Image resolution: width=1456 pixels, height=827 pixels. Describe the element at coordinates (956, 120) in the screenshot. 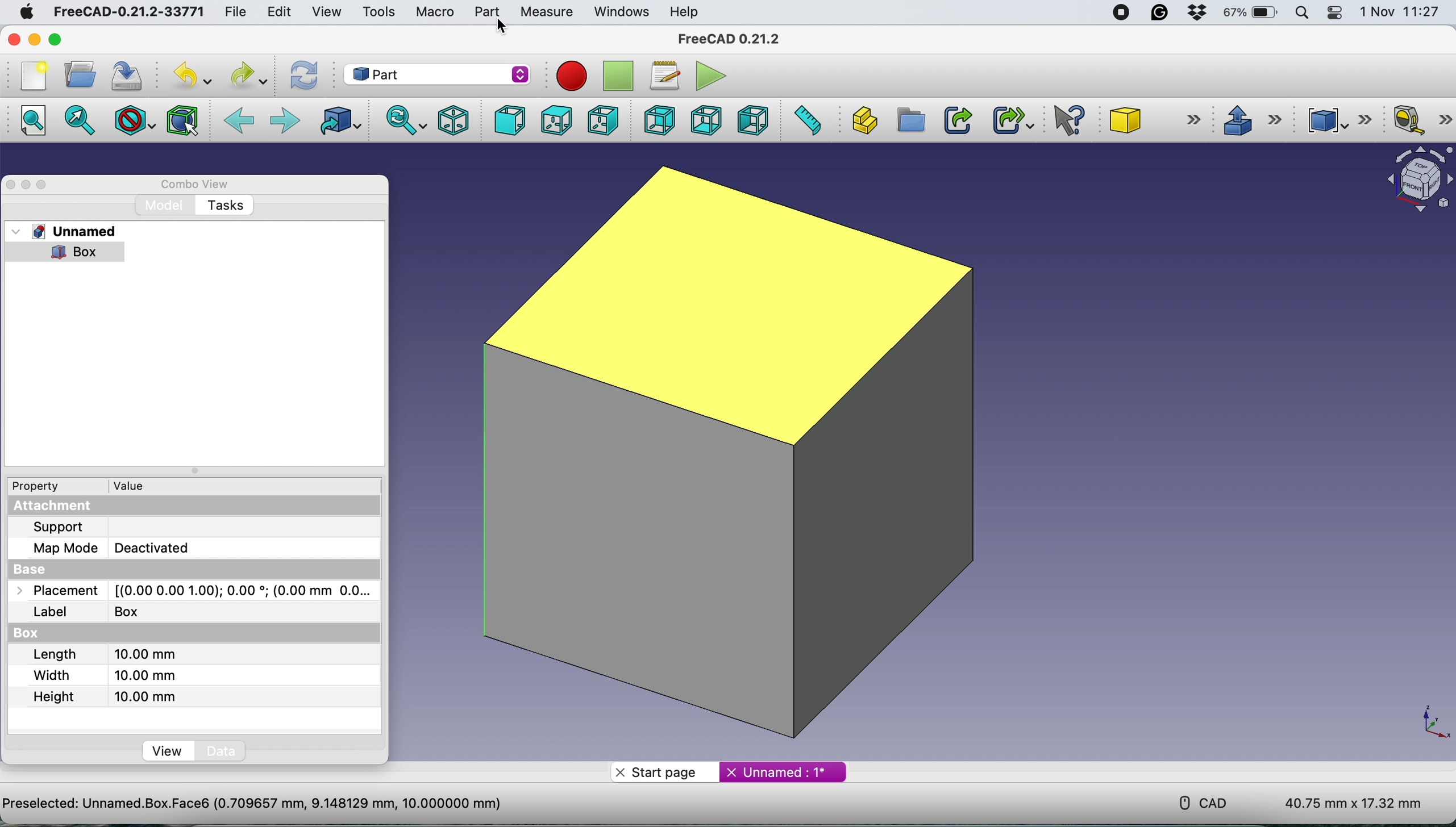

I see `make link` at that location.